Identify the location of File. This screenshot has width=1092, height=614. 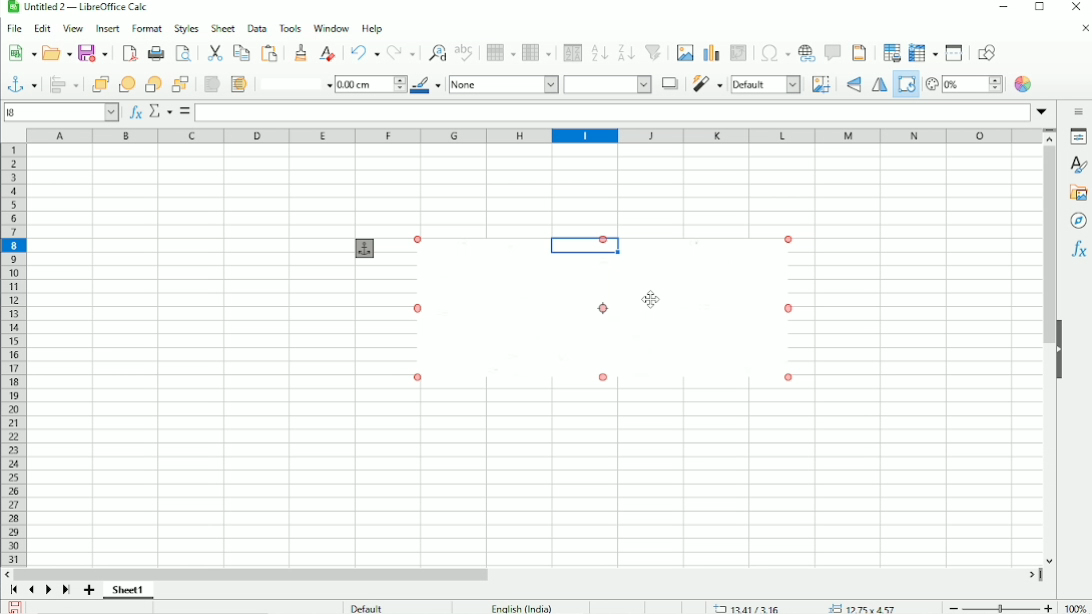
(16, 28).